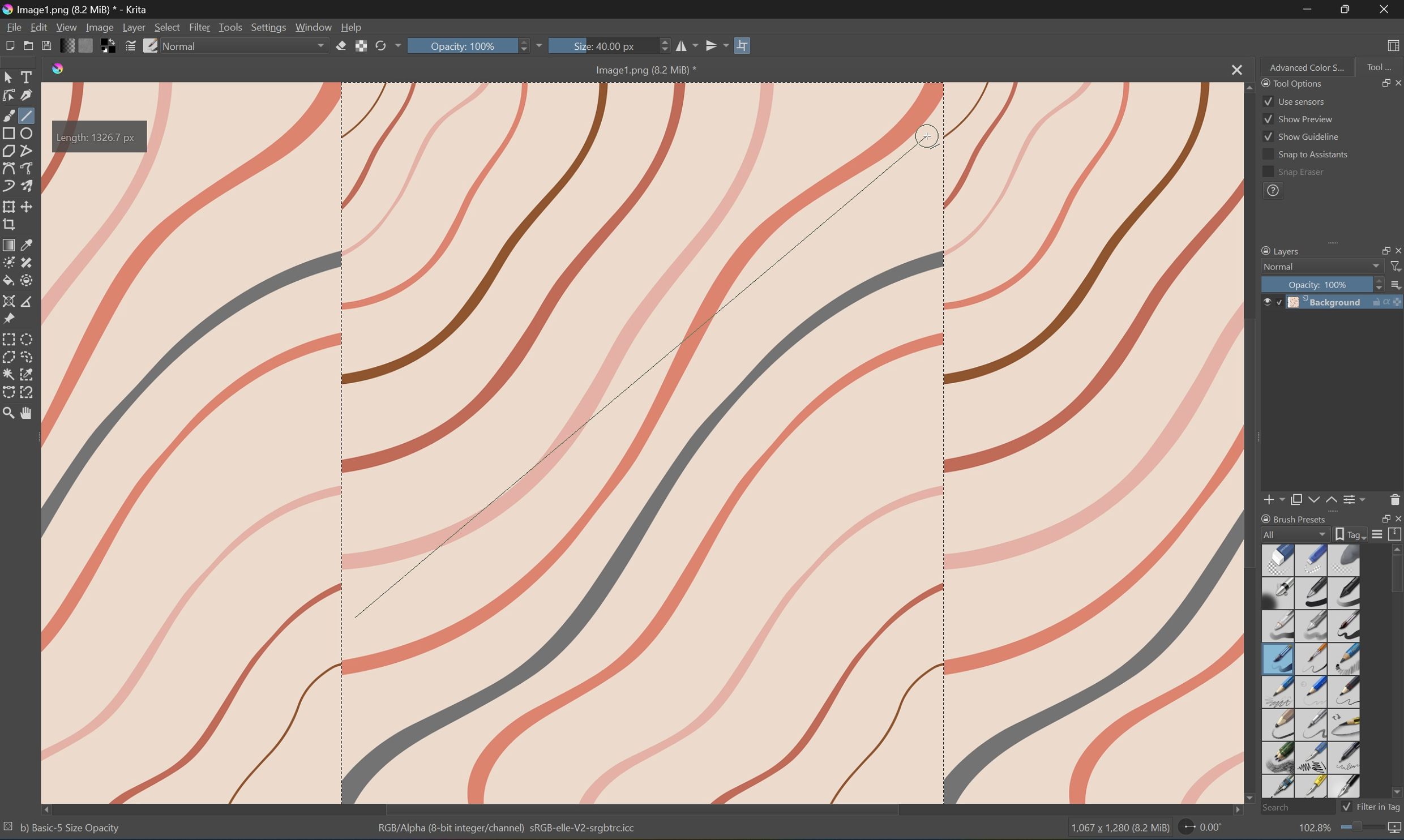 This screenshot has width=1404, height=840. Describe the element at coordinates (928, 138) in the screenshot. I see `Cursor` at that location.